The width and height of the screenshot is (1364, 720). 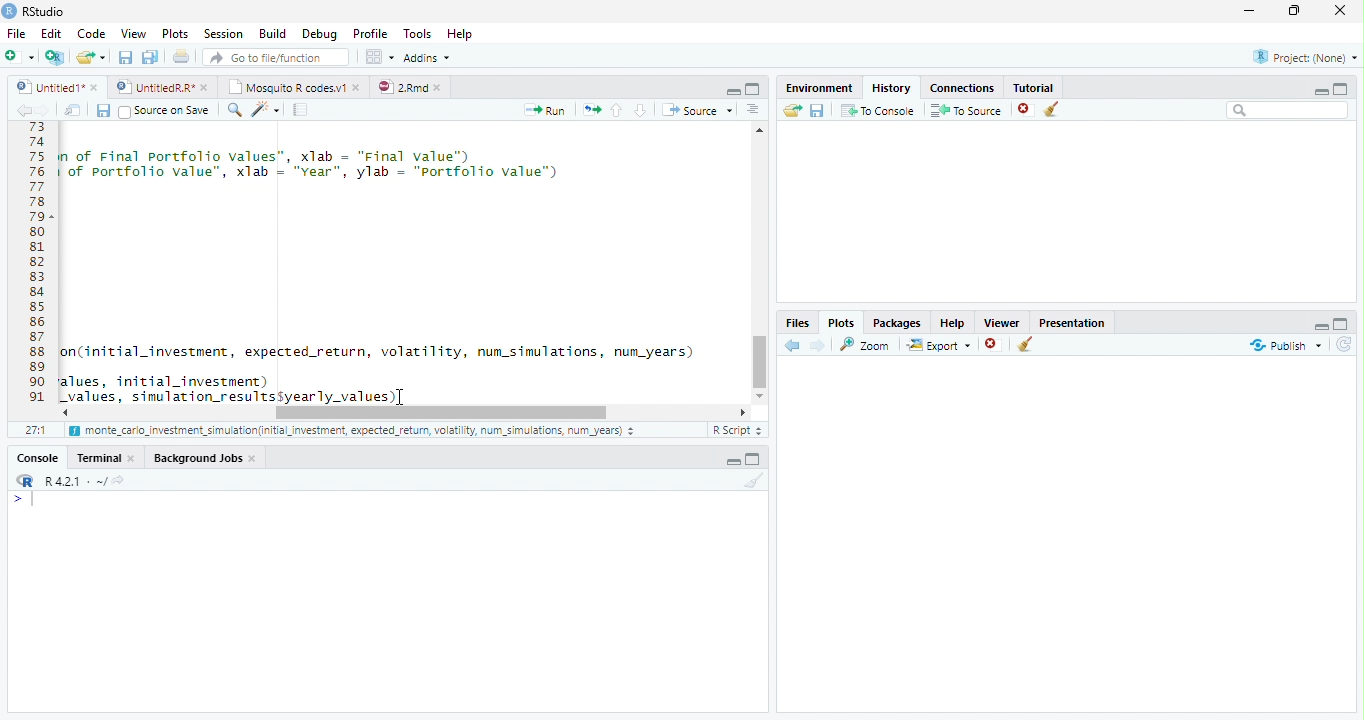 I want to click on History, so click(x=890, y=86).